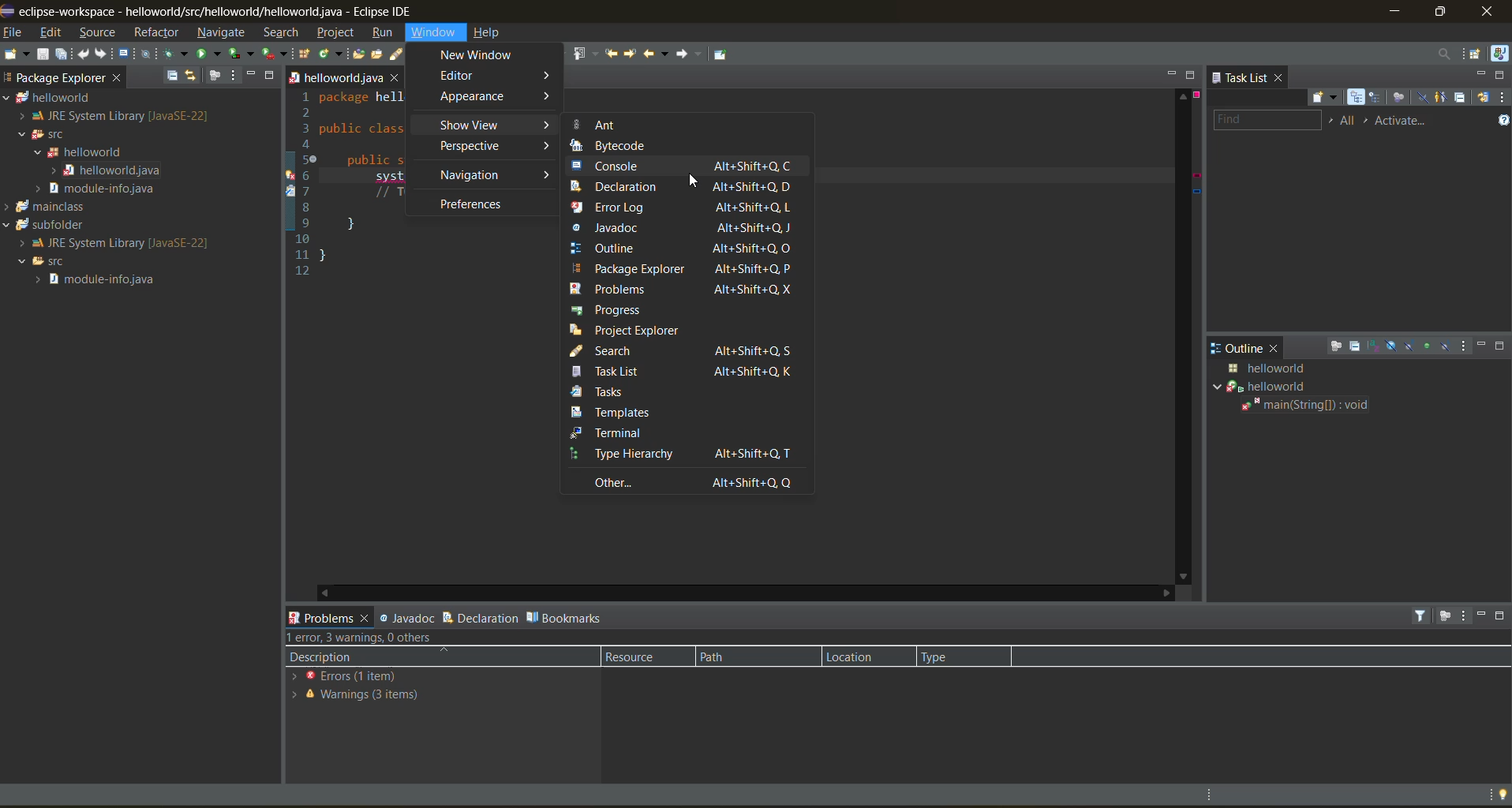  What do you see at coordinates (360, 54) in the screenshot?
I see `open type` at bounding box center [360, 54].